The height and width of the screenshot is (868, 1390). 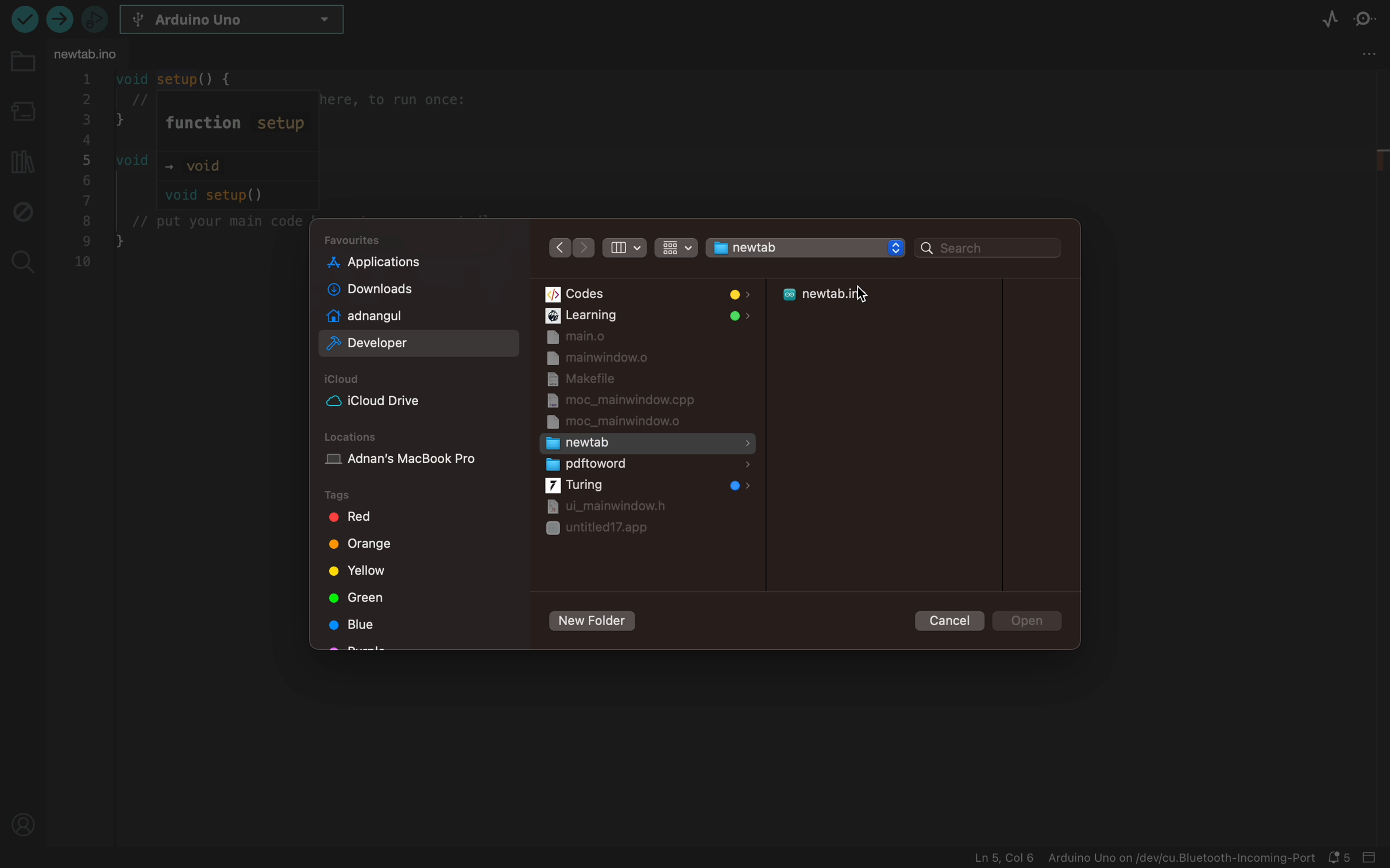 I want to click on serial monitor, so click(x=1370, y=20).